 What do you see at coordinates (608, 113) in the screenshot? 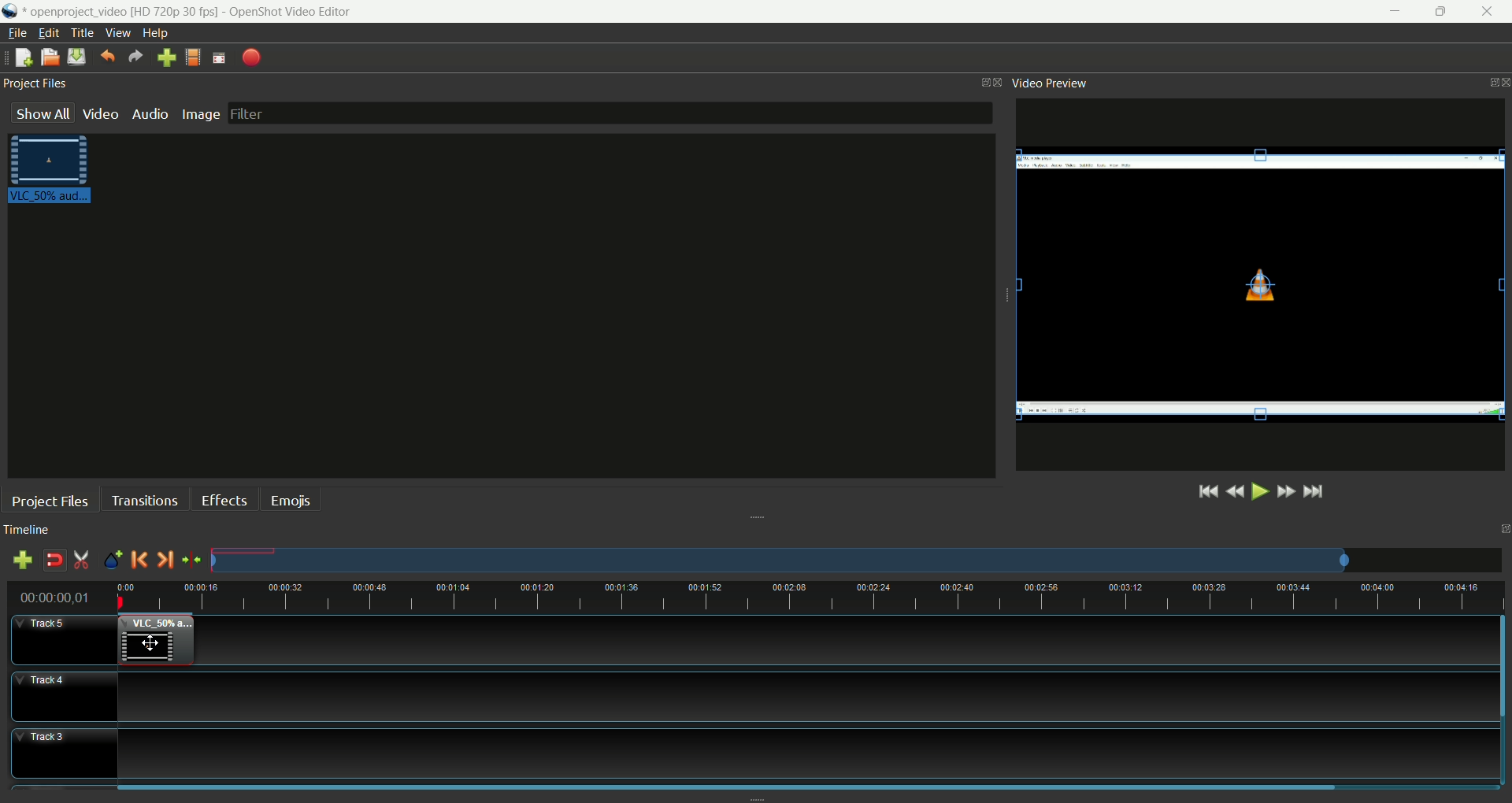
I see `filter` at bounding box center [608, 113].